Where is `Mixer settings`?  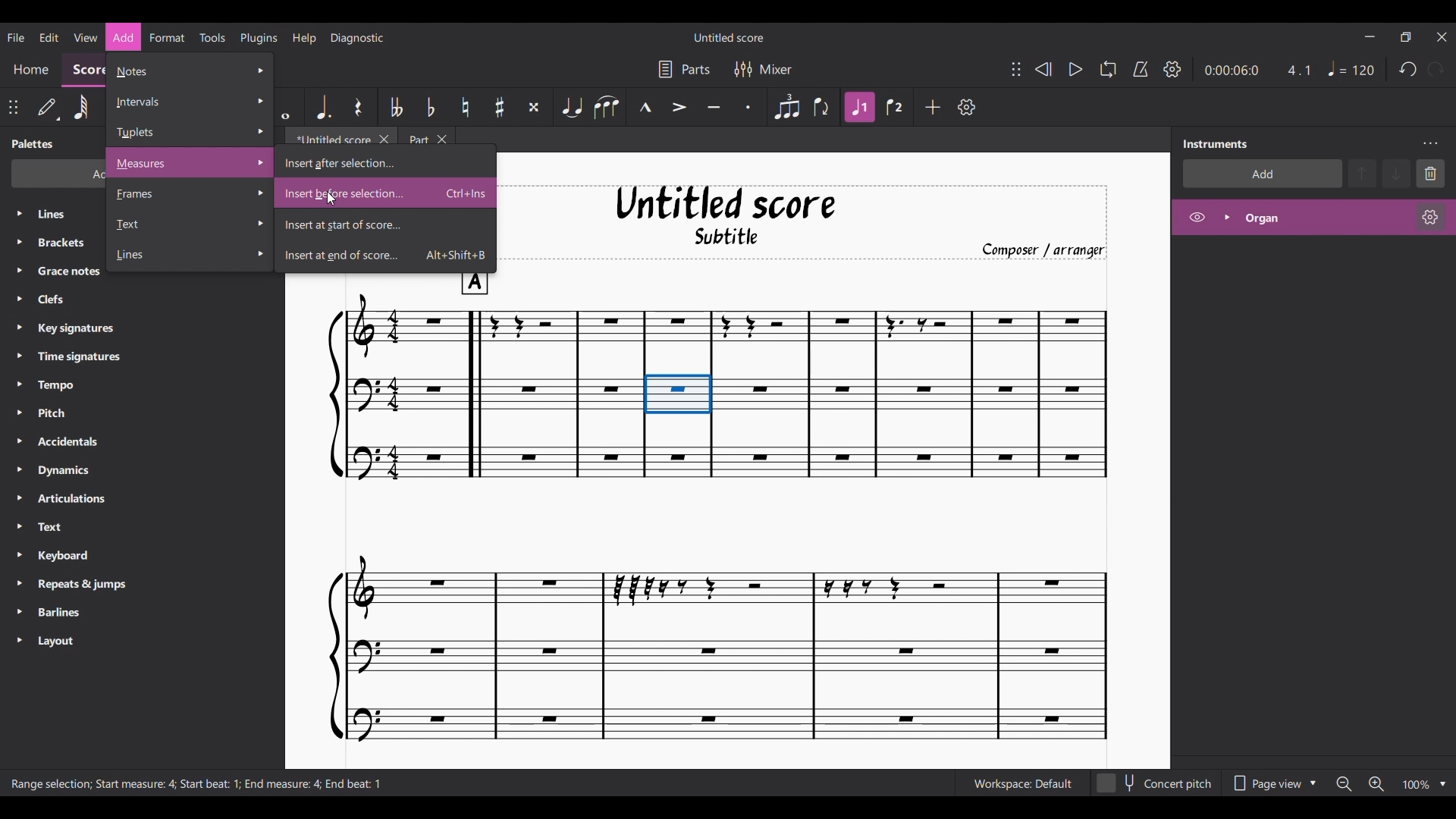 Mixer settings is located at coordinates (763, 70).